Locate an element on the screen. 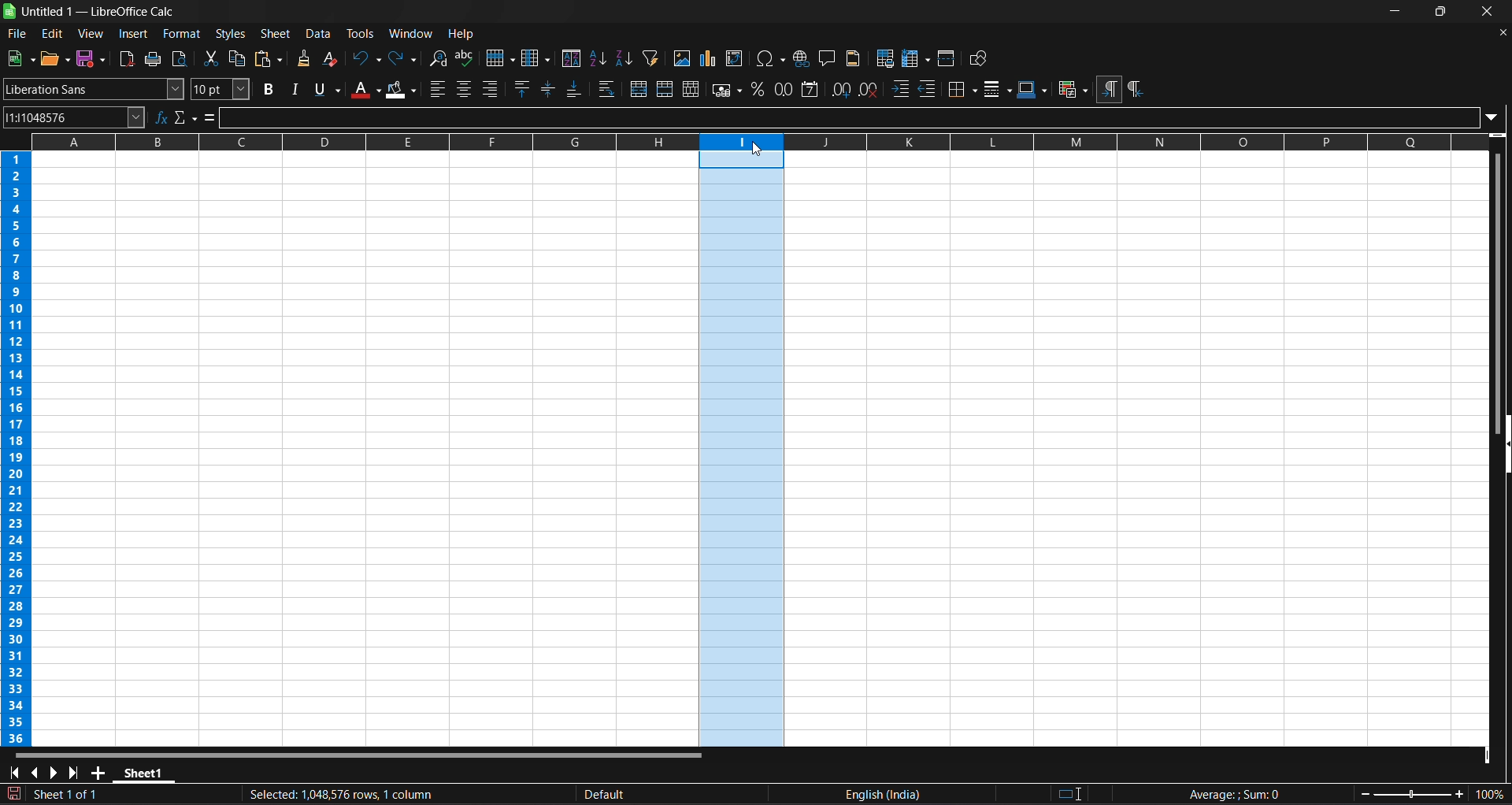 Image resolution: width=1512 pixels, height=805 pixels. columns is located at coordinates (21, 448).